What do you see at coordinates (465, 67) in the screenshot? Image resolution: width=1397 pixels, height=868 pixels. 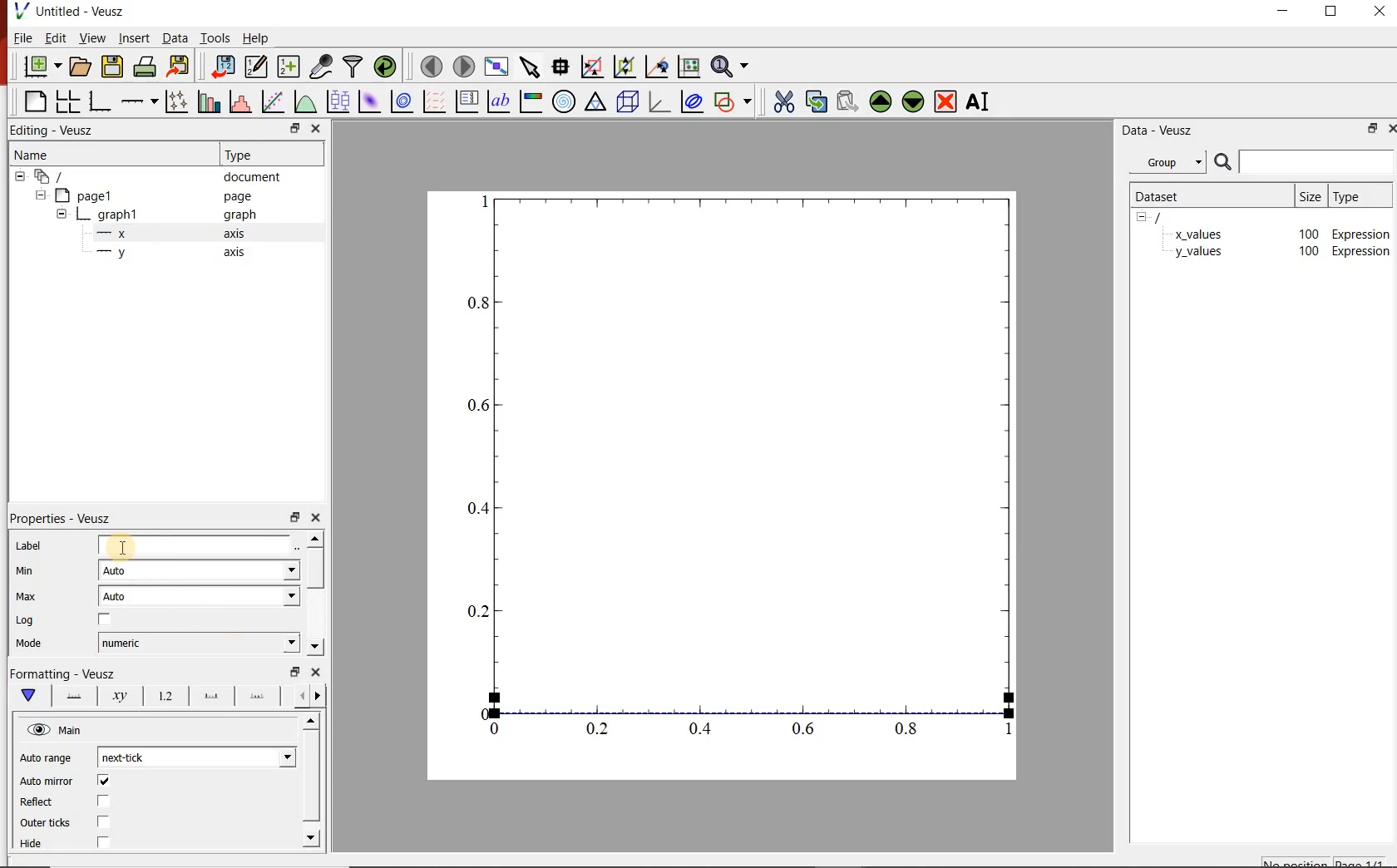 I see `move to next page` at bounding box center [465, 67].